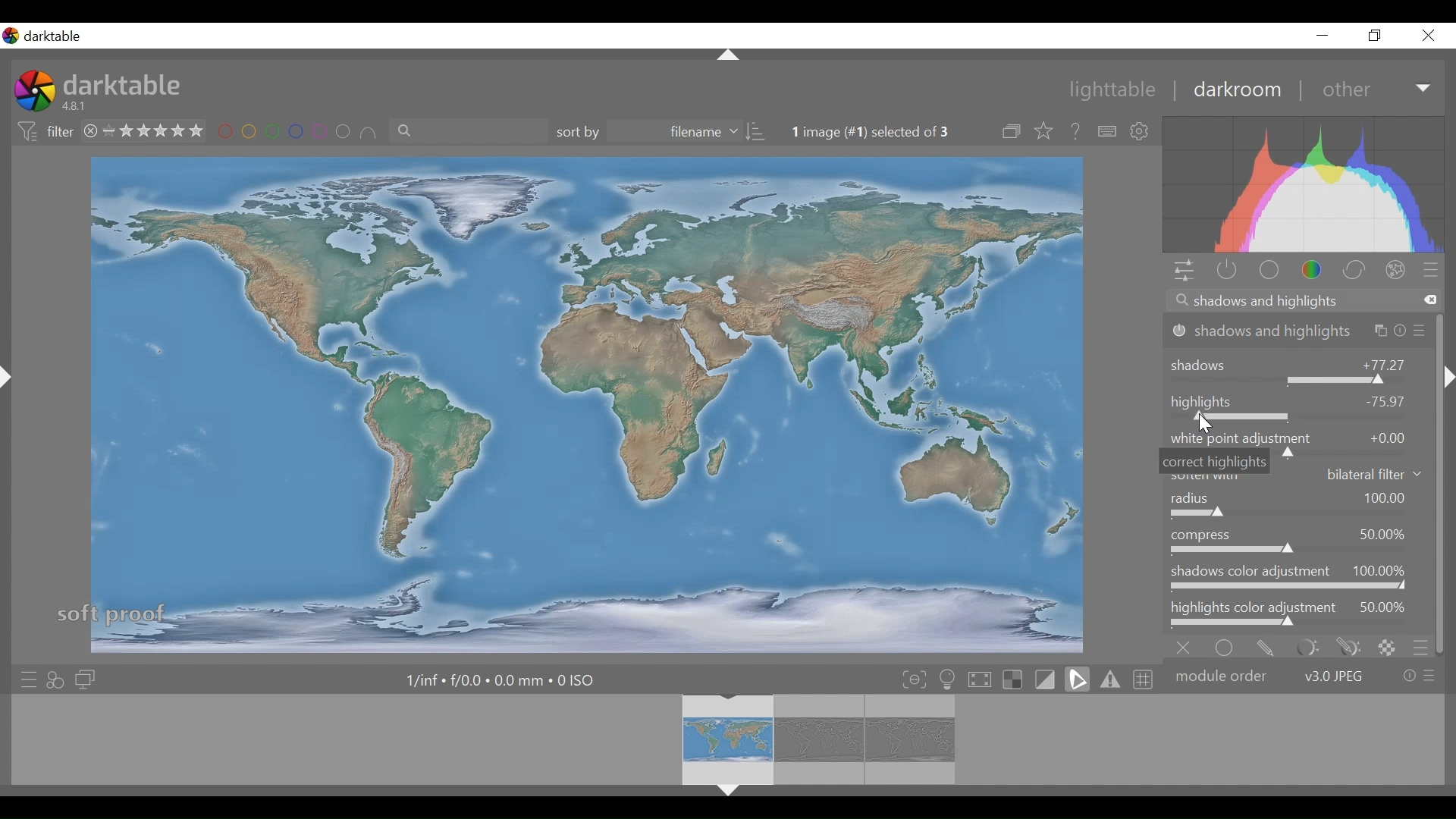 Image resolution: width=1456 pixels, height=819 pixels. What do you see at coordinates (1268, 270) in the screenshot?
I see `base` at bounding box center [1268, 270].